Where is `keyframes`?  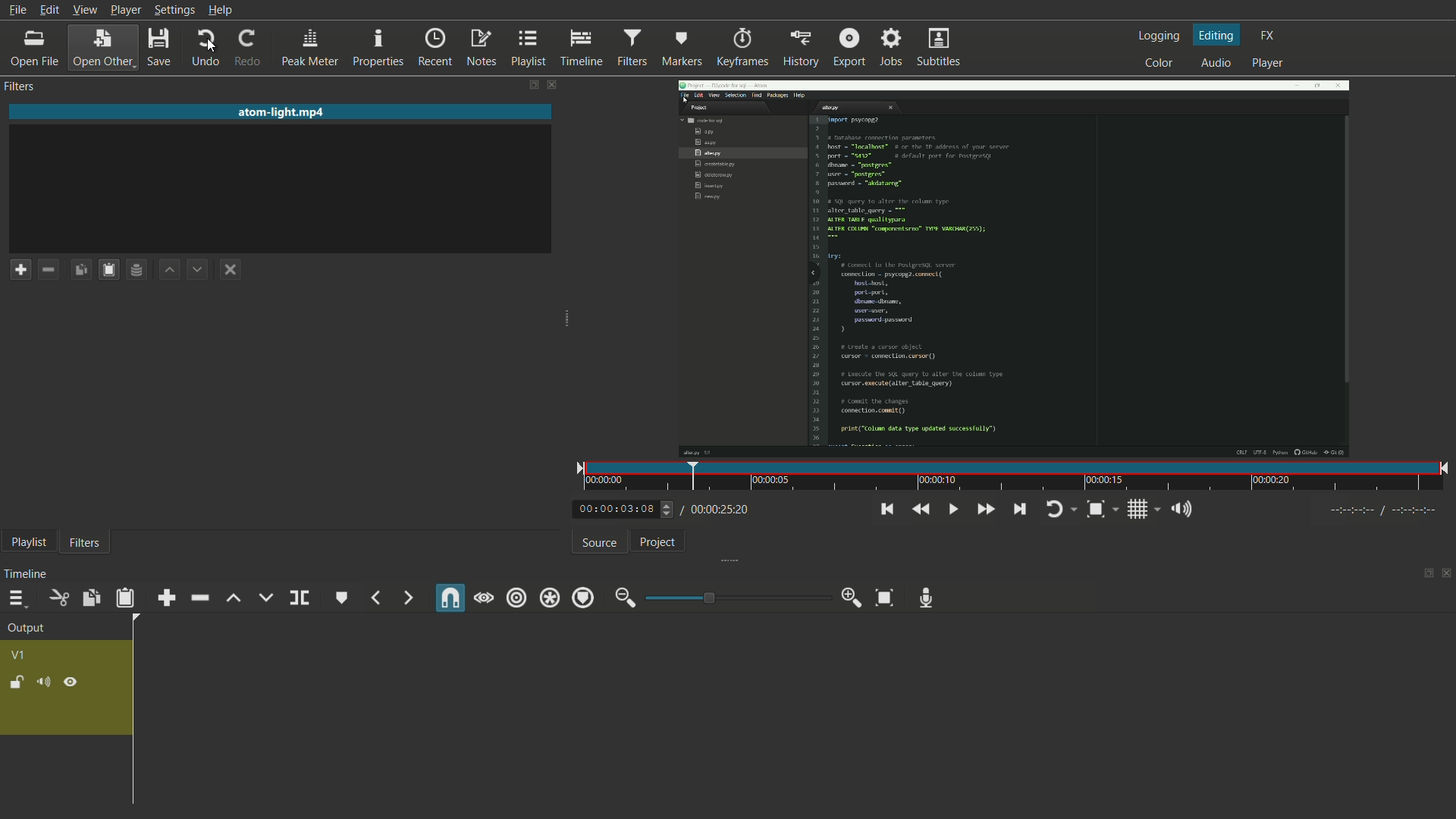
keyframes is located at coordinates (743, 47).